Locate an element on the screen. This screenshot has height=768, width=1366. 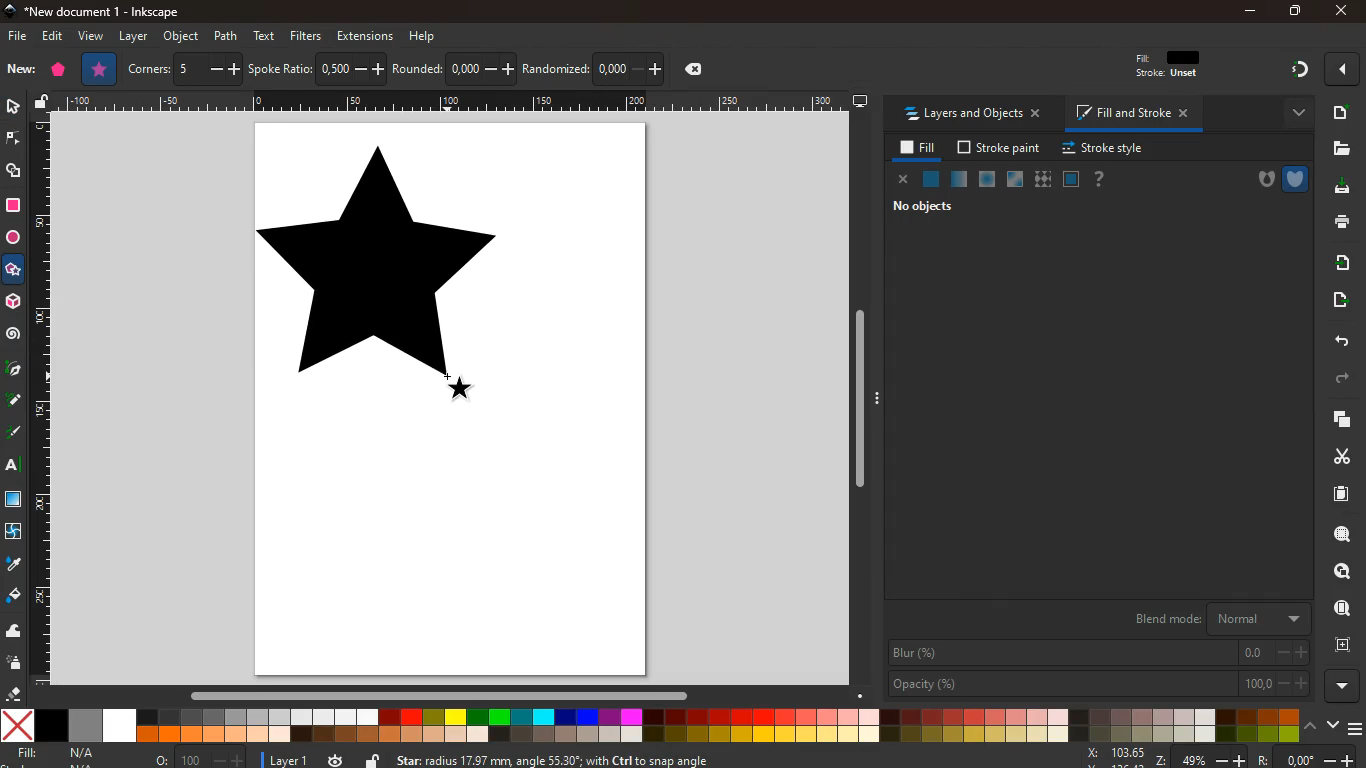
star is located at coordinates (12, 270).